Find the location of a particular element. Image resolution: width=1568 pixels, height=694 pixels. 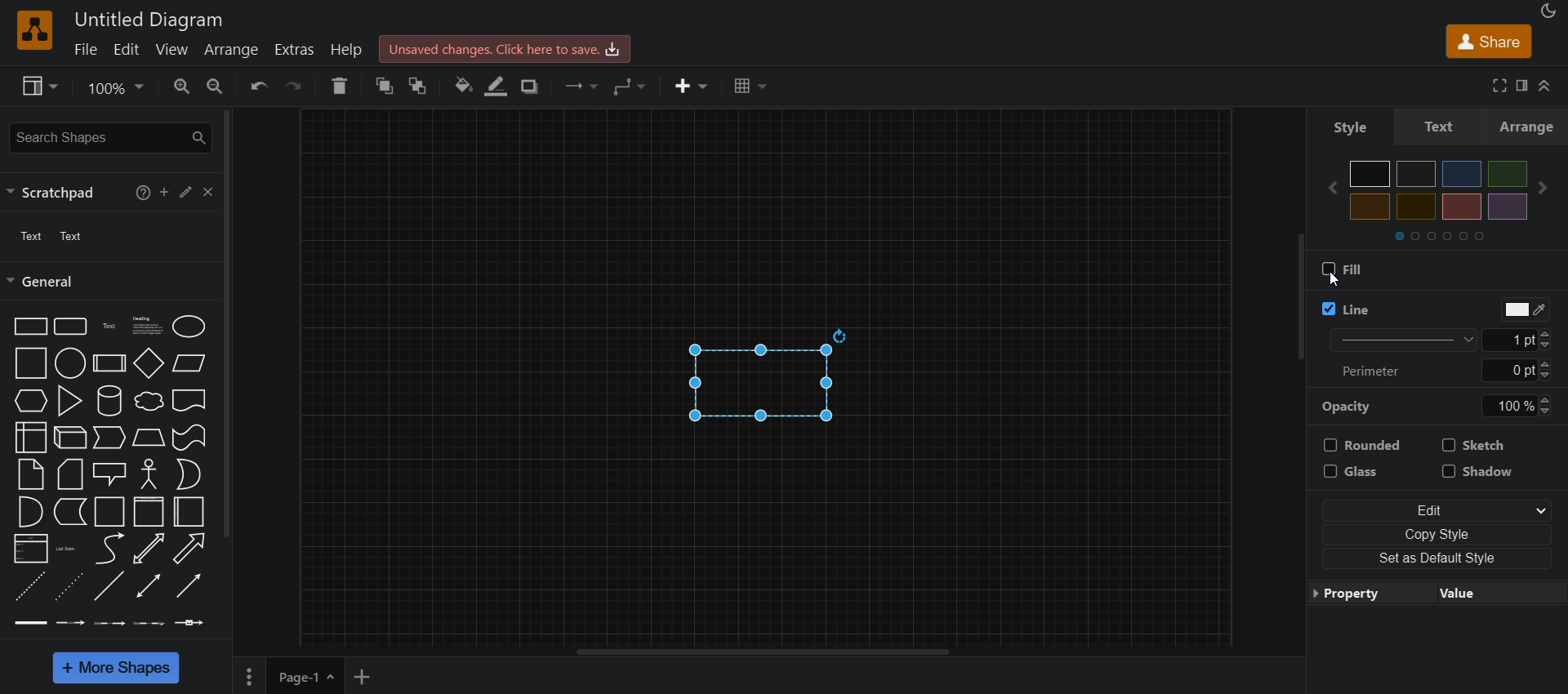

blue is located at coordinates (1462, 174).